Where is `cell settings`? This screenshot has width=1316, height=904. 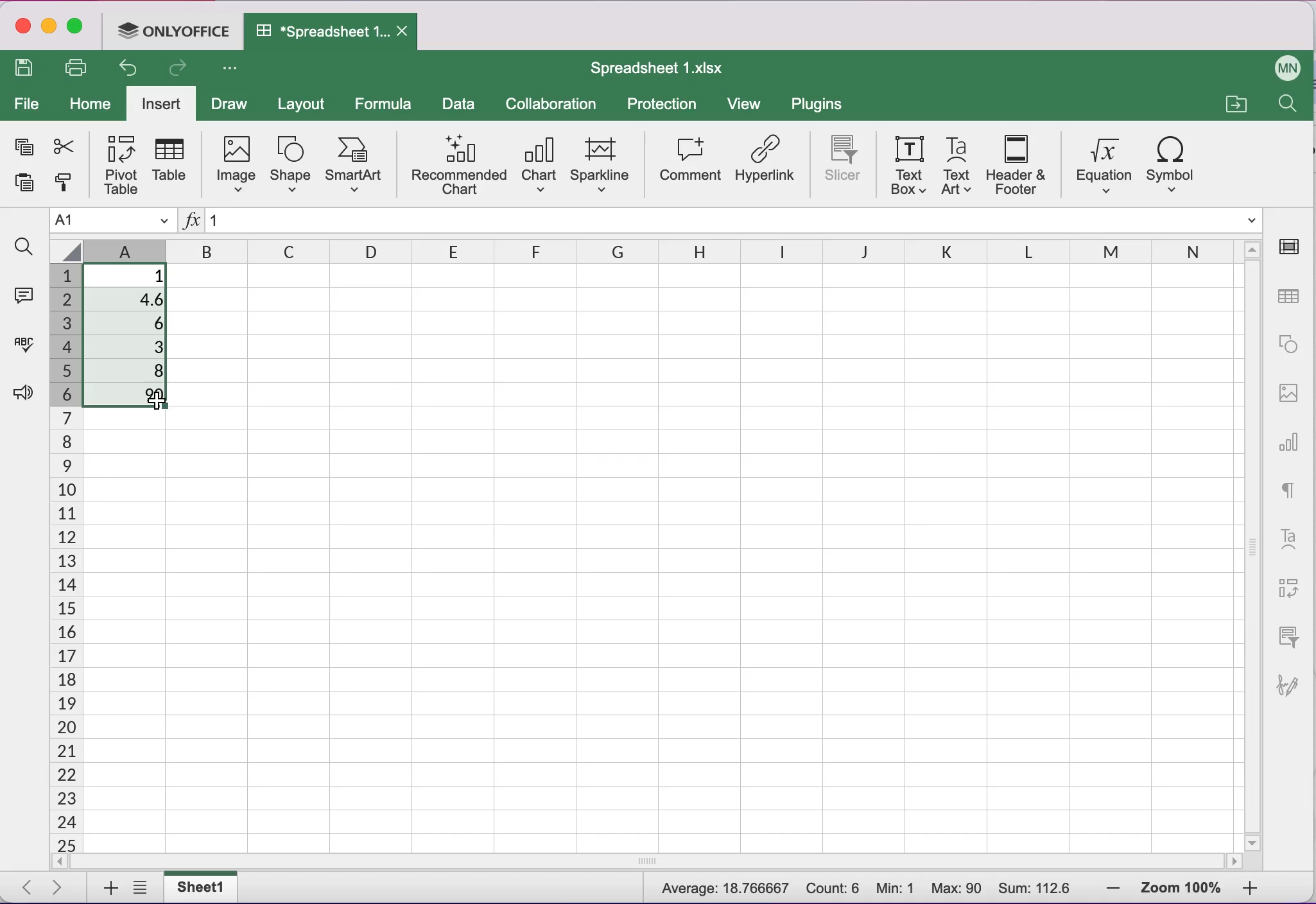
cell settings is located at coordinates (1292, 248).